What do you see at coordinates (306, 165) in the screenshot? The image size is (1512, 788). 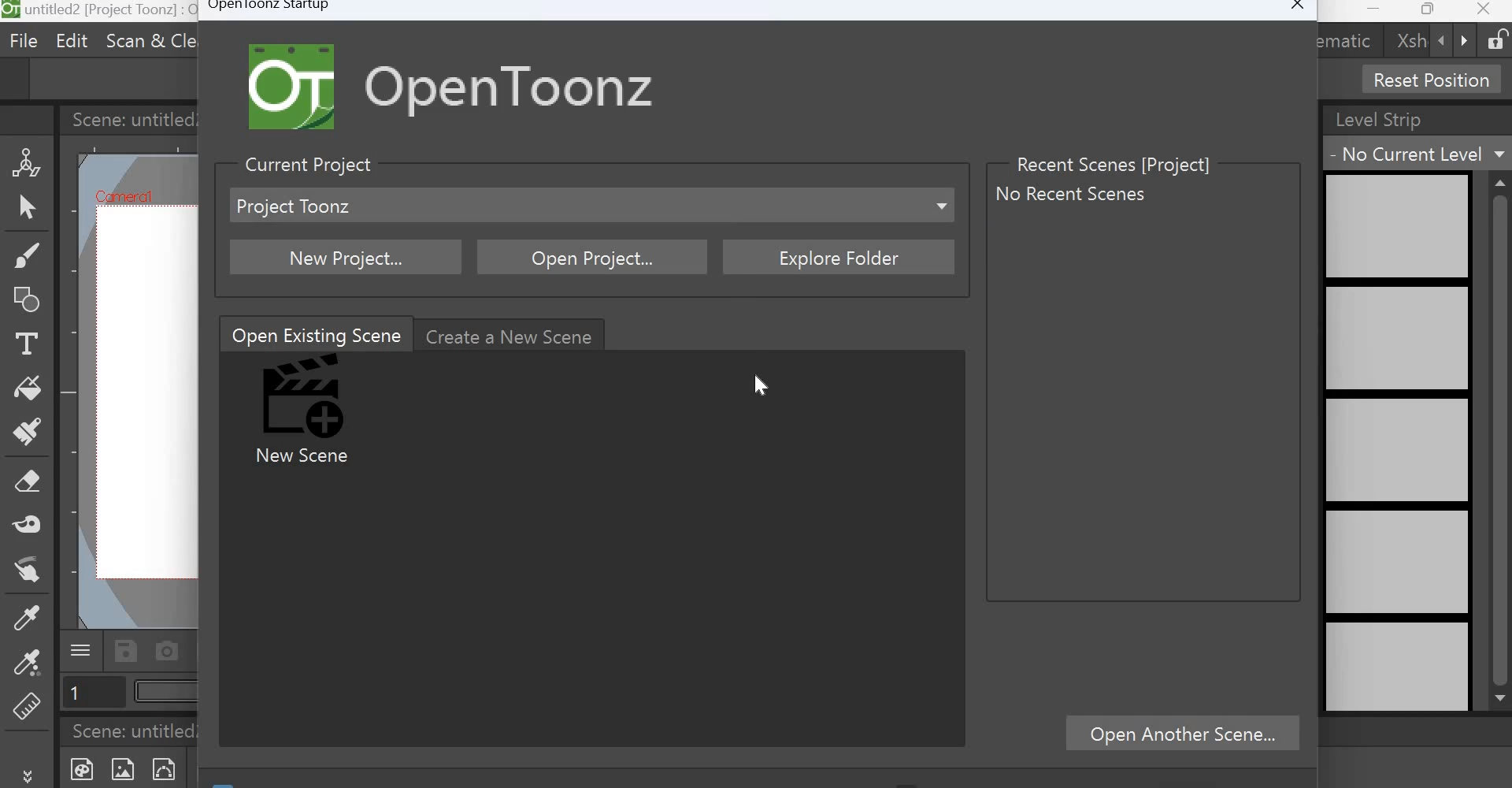 I see `Current Project` at bounding box center [306, 165].